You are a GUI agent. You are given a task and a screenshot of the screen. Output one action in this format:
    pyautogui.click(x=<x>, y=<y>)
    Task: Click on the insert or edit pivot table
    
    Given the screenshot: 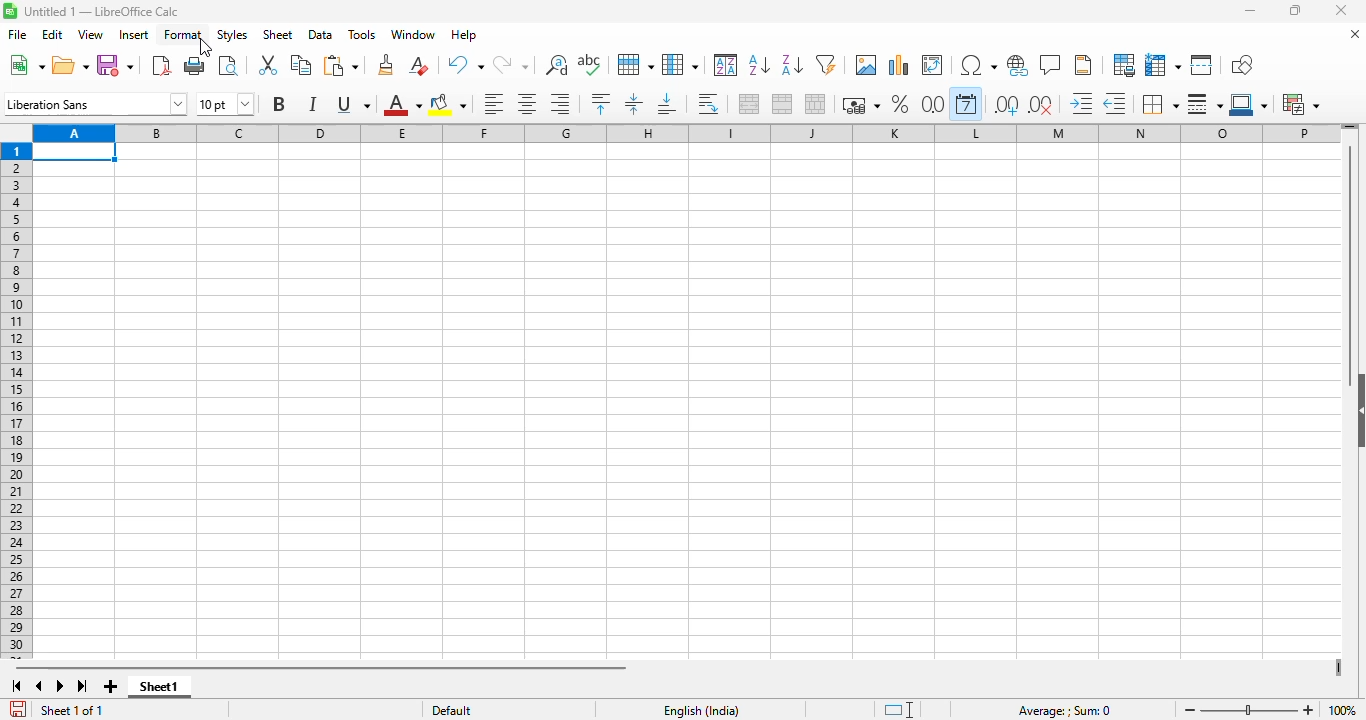 What is the action you would take?
    pyautogui.click(x=934, y=65)
    